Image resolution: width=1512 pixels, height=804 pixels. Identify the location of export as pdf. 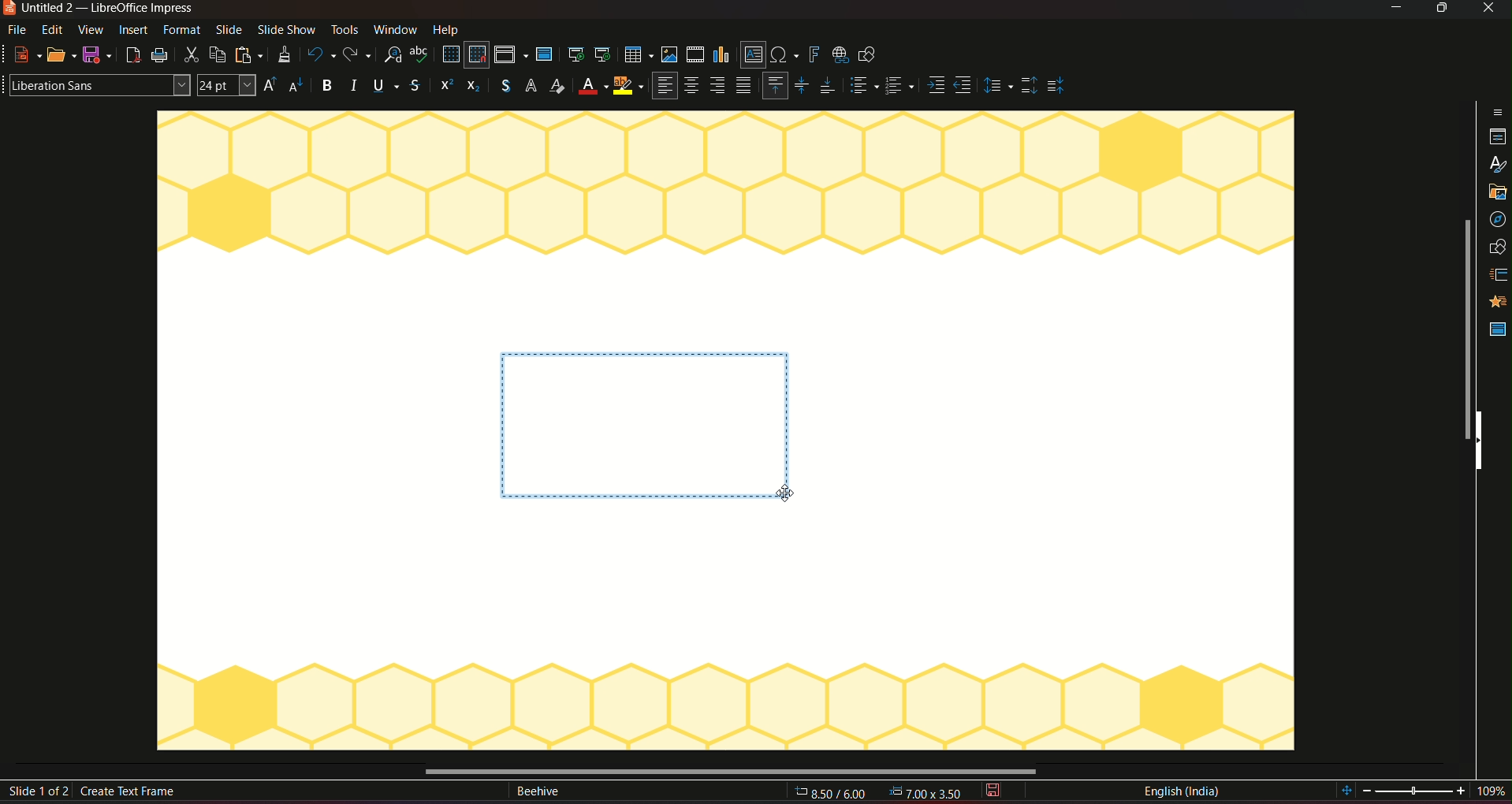
(132, 55).